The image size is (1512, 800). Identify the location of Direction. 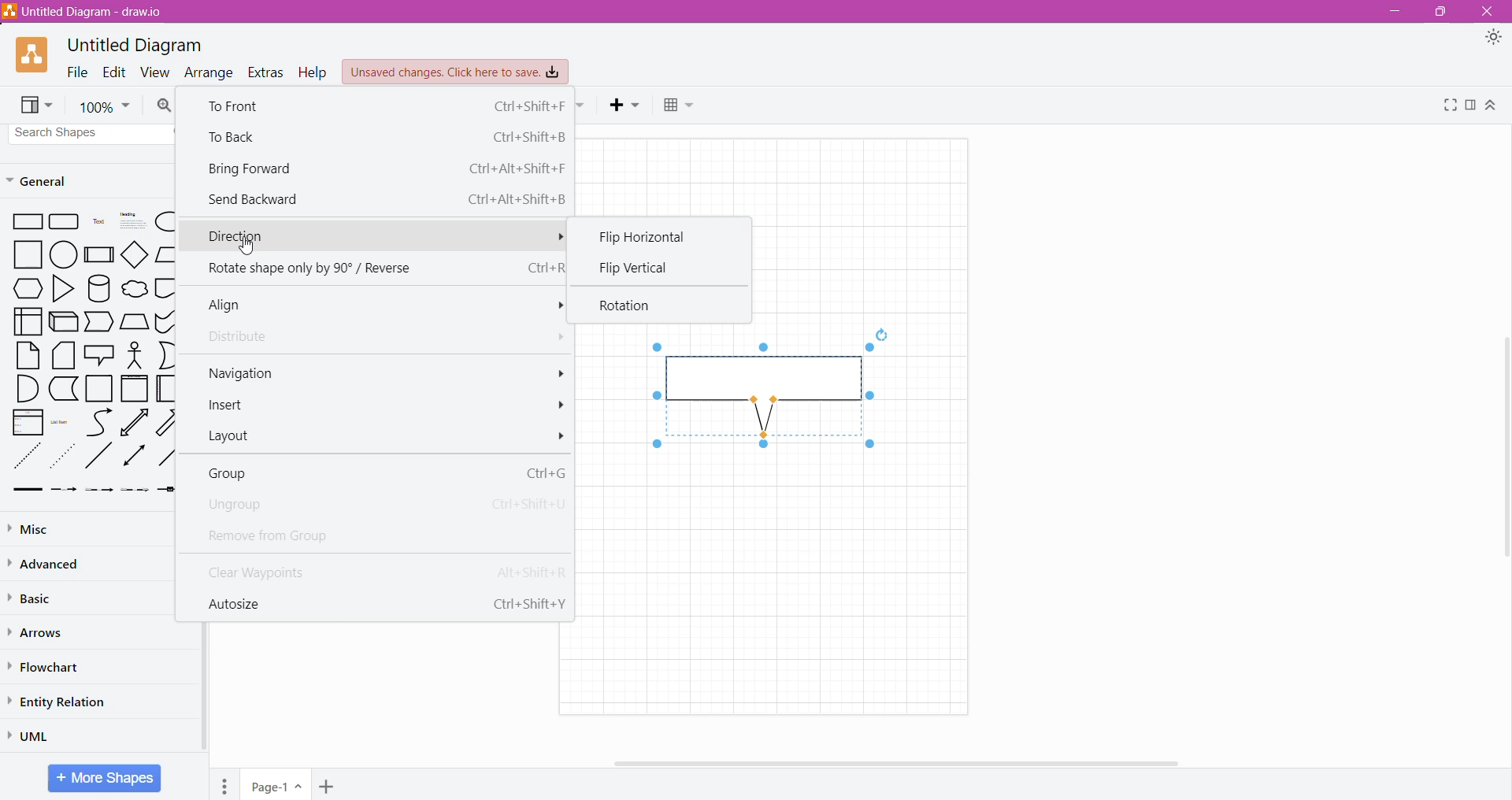
(376, 237).